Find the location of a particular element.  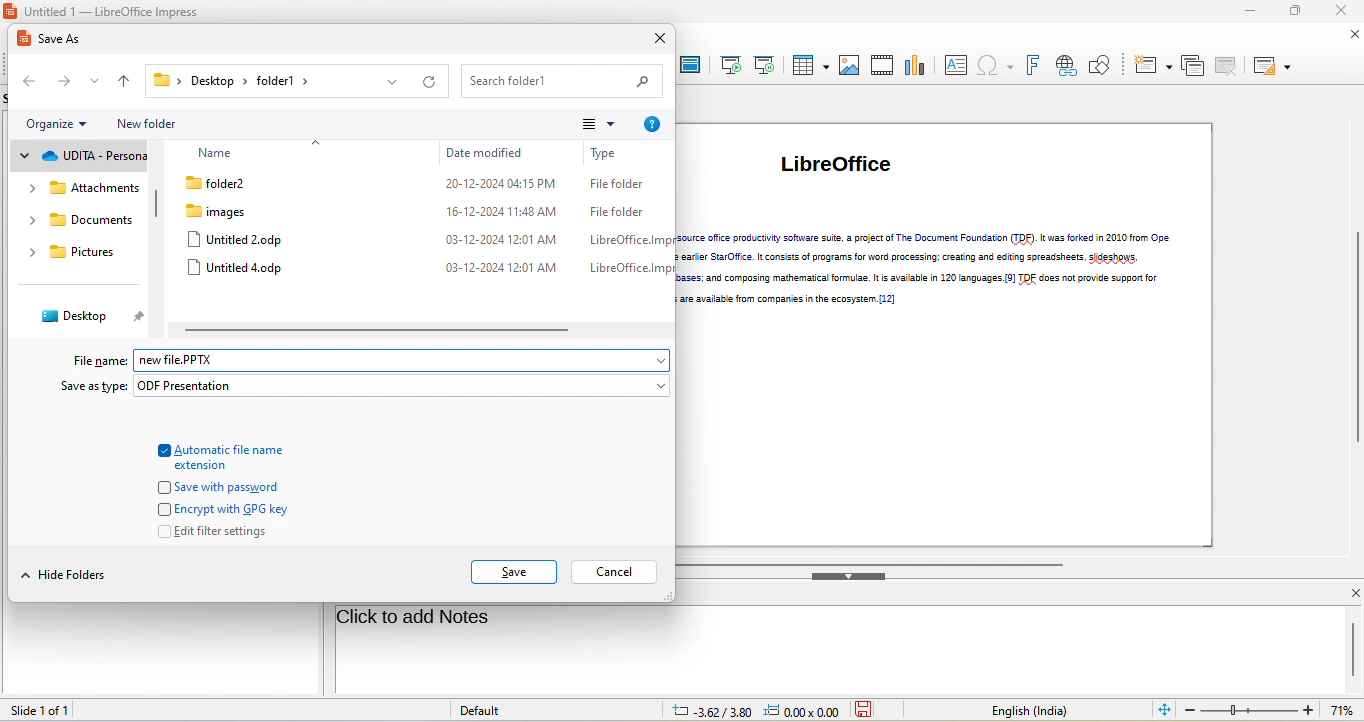

horizontal scroll bar is located at coordinates (874, 563).